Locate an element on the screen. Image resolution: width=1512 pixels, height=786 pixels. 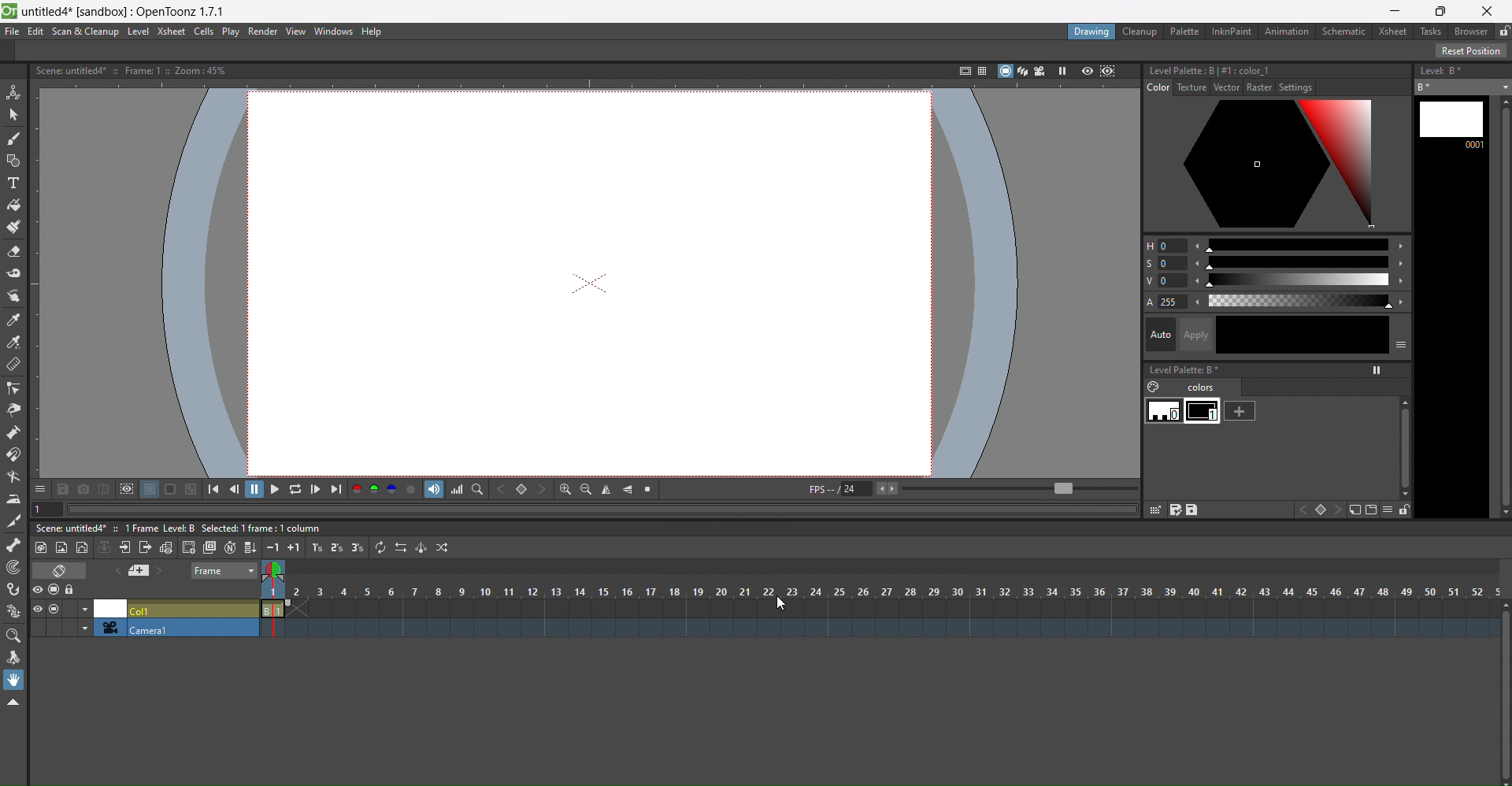
close sub xsheet is located at coordinates (145, 547).